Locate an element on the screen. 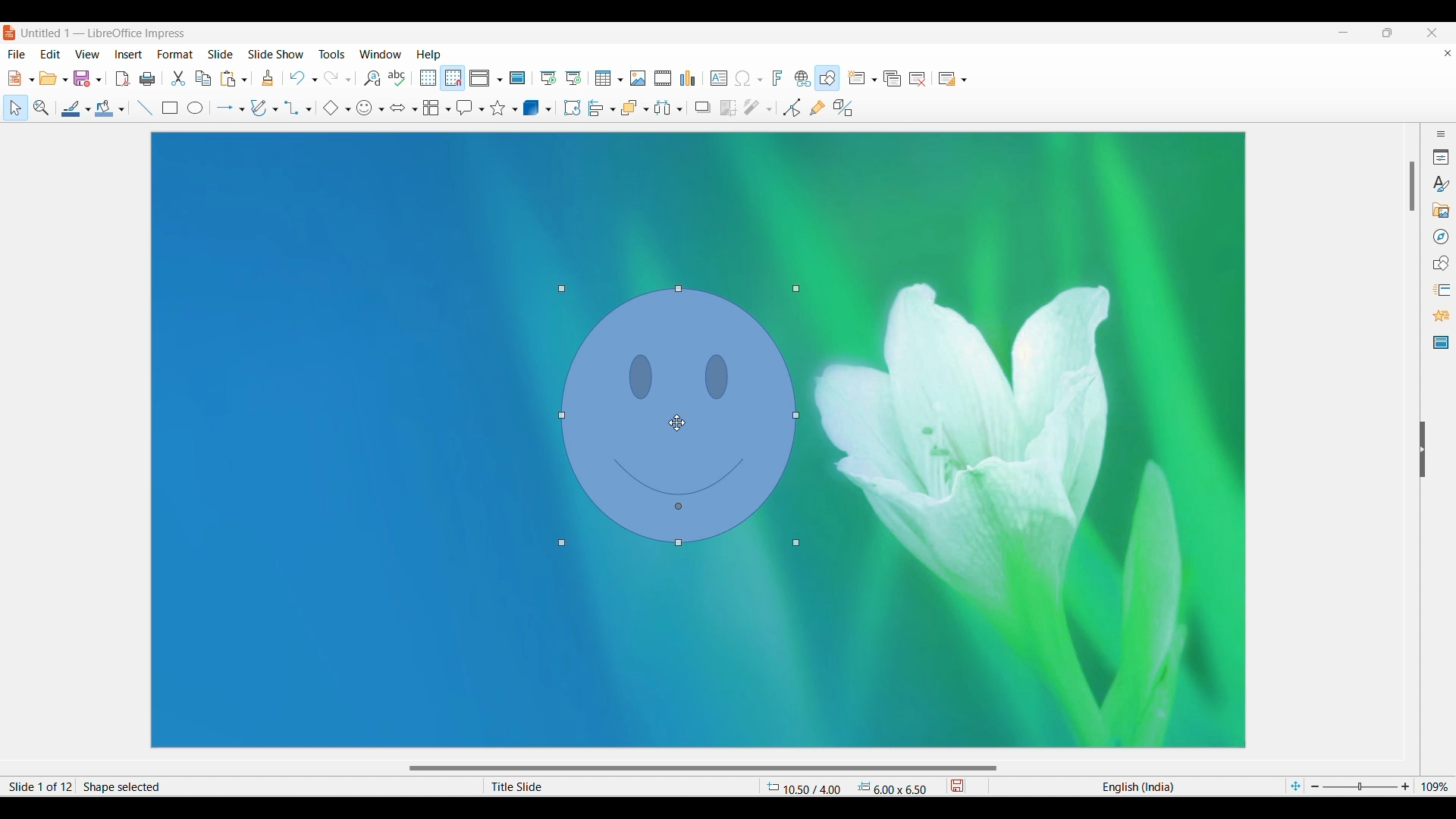 Image resolution: width=1456 pixels, height=819 pixels. Sidebar settings is located at coordinates (1441, 133).